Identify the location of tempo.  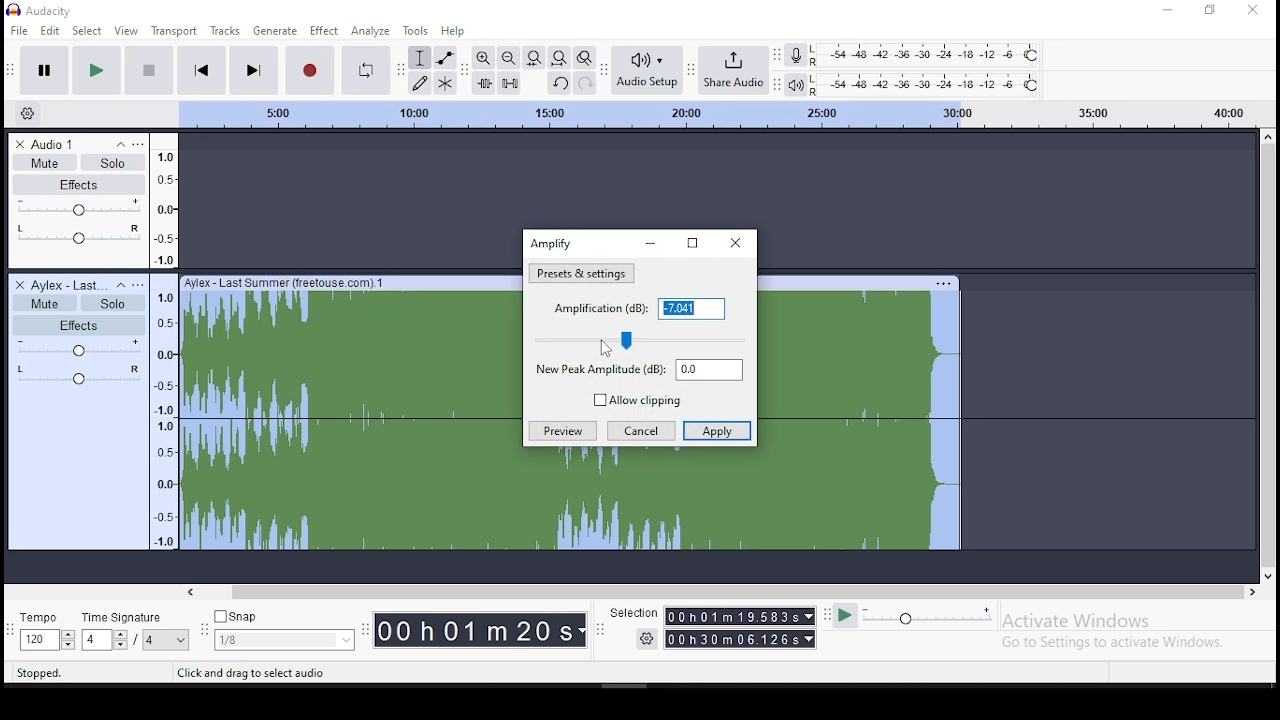
(47, 633).